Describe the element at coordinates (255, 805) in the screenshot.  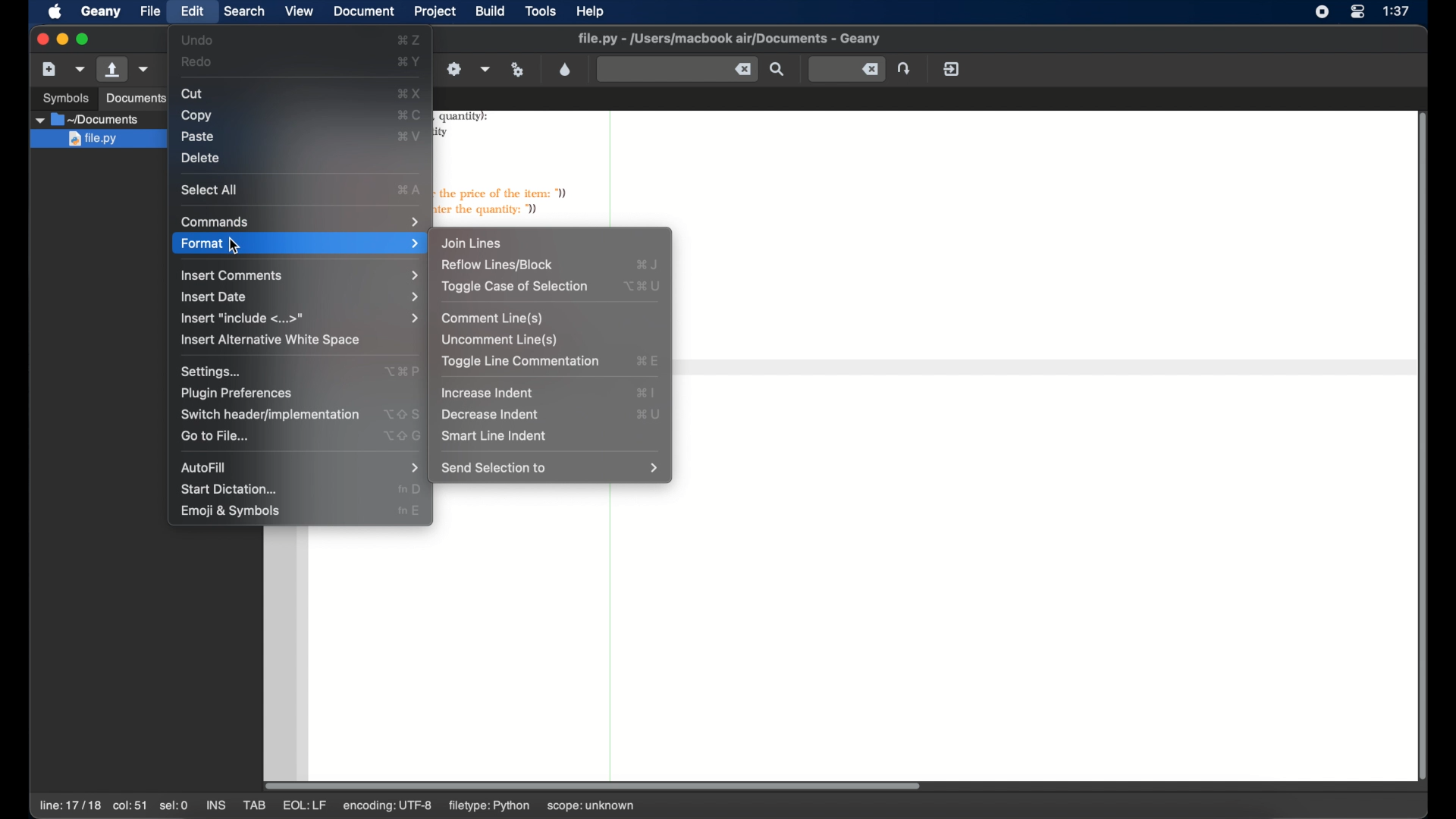
I see `tab` at that location.